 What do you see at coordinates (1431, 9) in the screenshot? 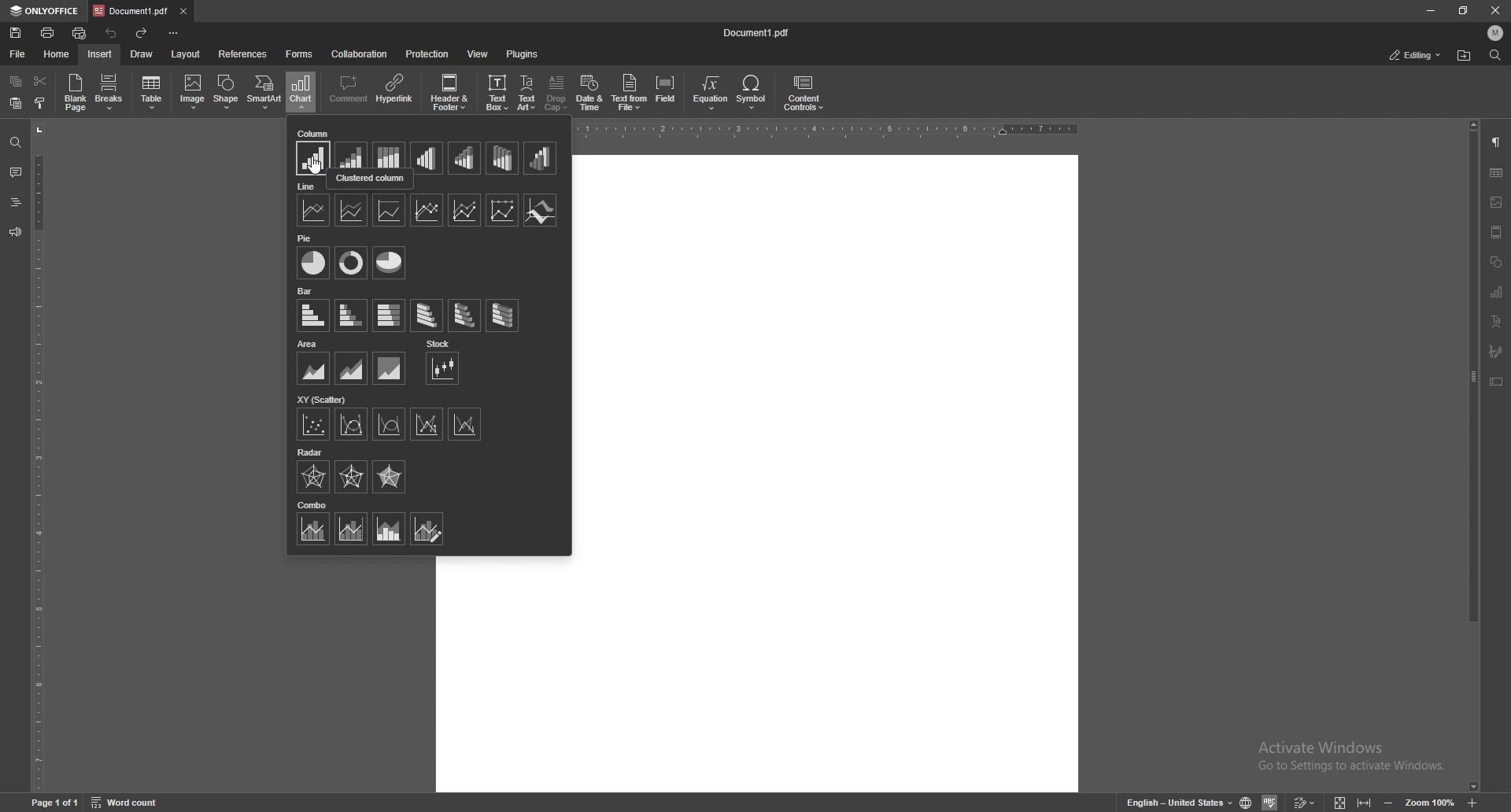
I see `minimize` at bounding box center [1431, 9].